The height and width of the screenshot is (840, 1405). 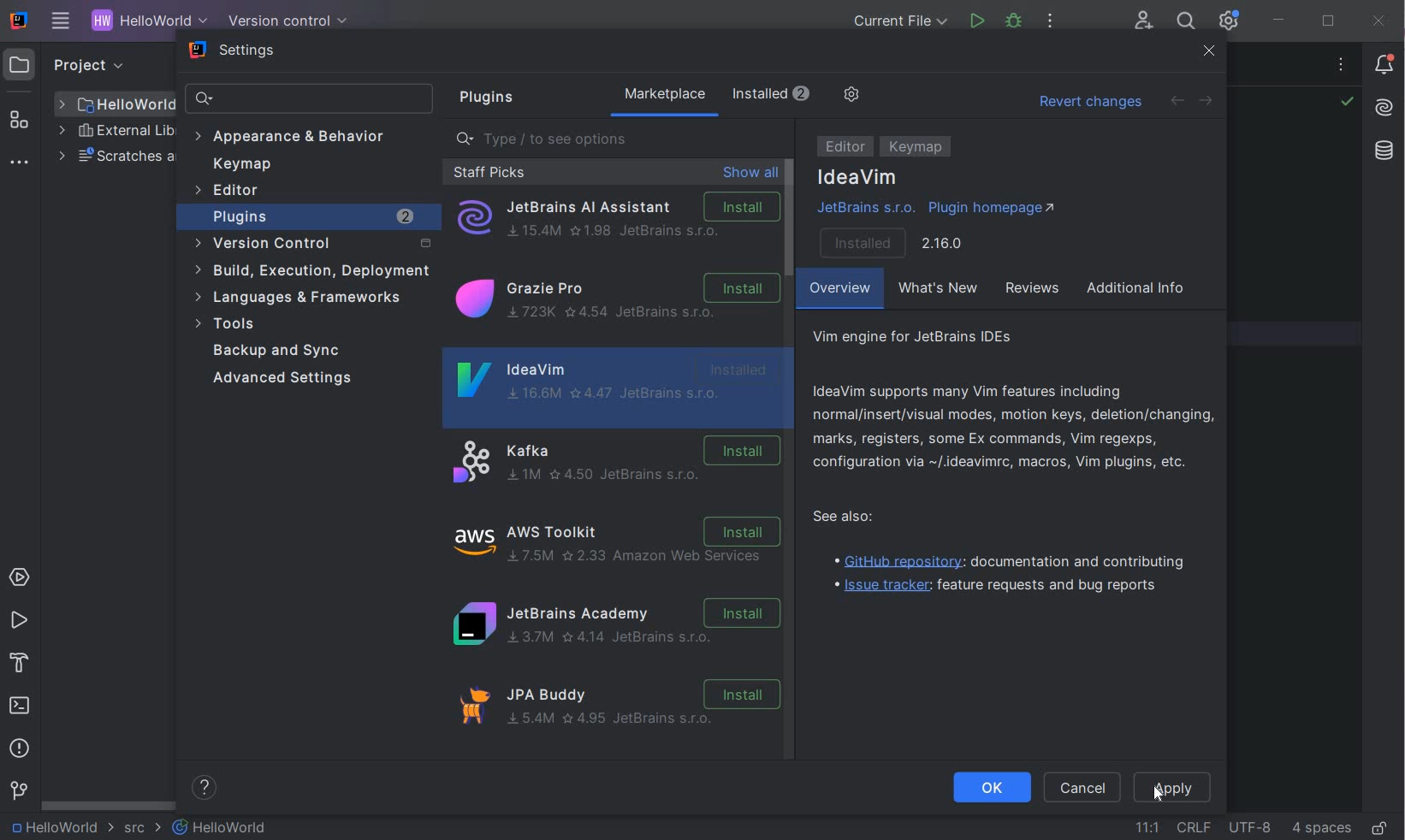 What do you see at coordinates (1384, 108) in the screenshot?
I see `AI Assistant` at bounding box center [1384, 108].